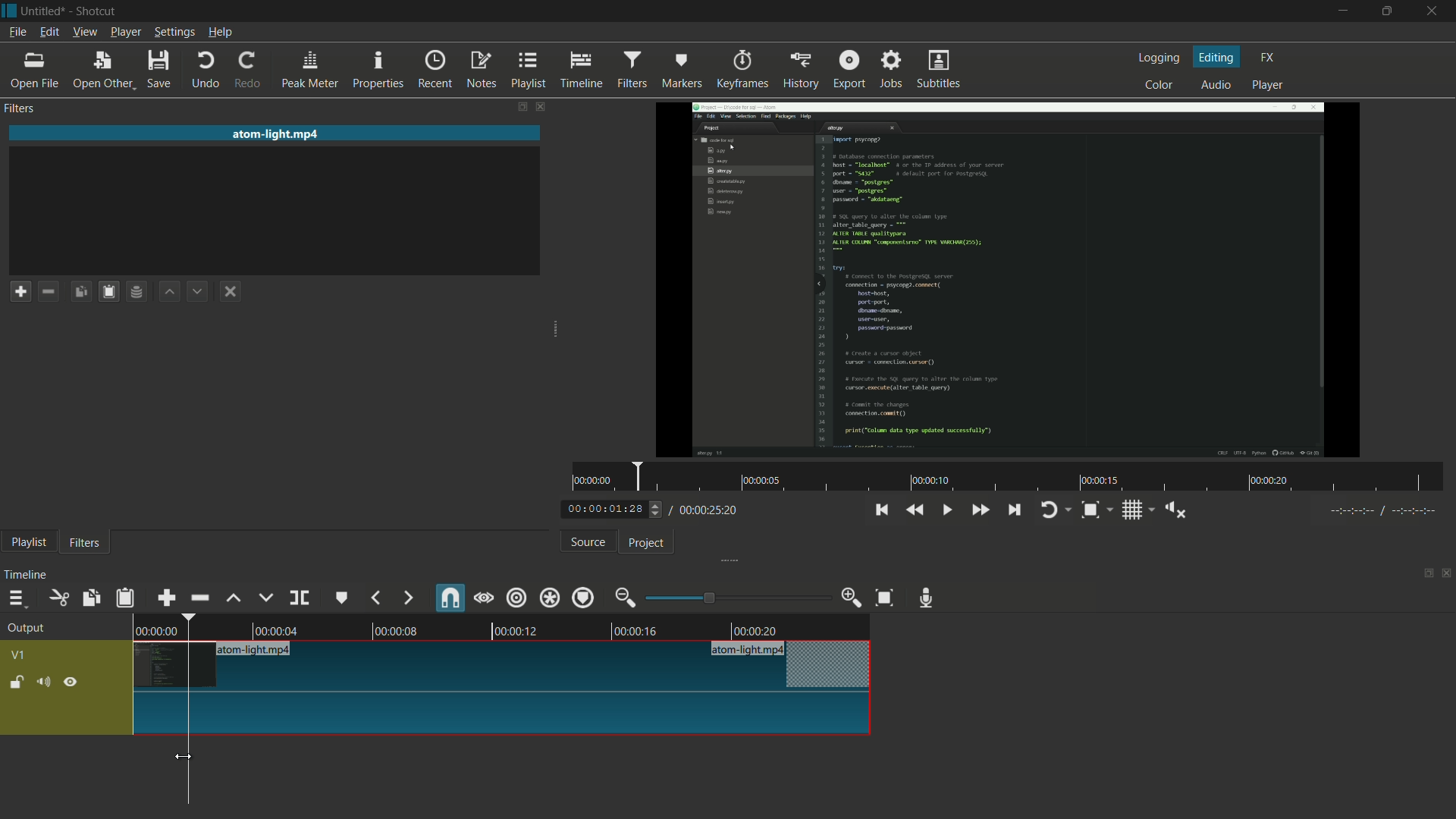 The image size is (1456, 819). What do you see at coordinates (736, 598) in the screenshot?
I see `adjustment bar` at bounding box center [736, 598].